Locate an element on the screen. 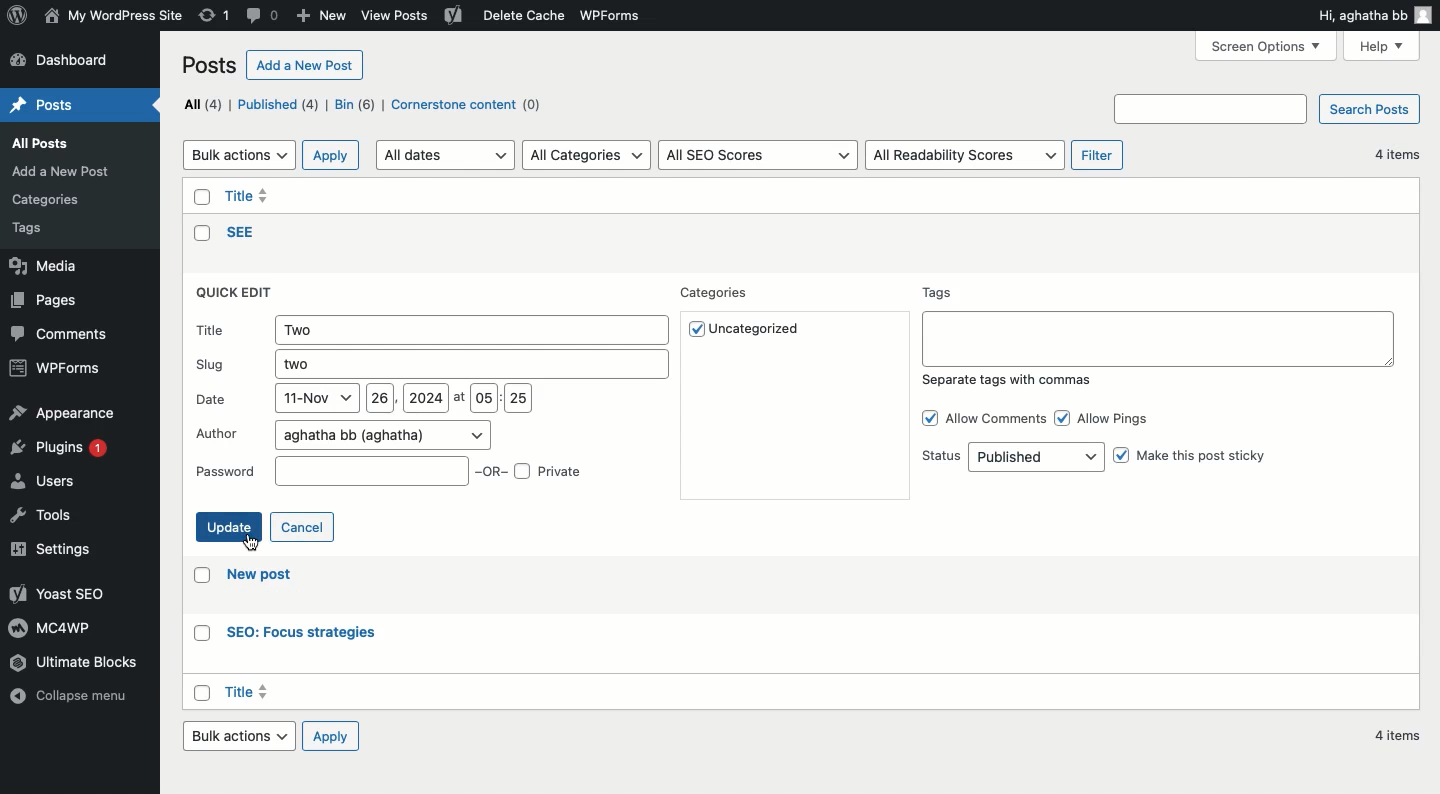 The height and width of the screenshot is (794, 1440). Comment is located at coordinates (264, 14).